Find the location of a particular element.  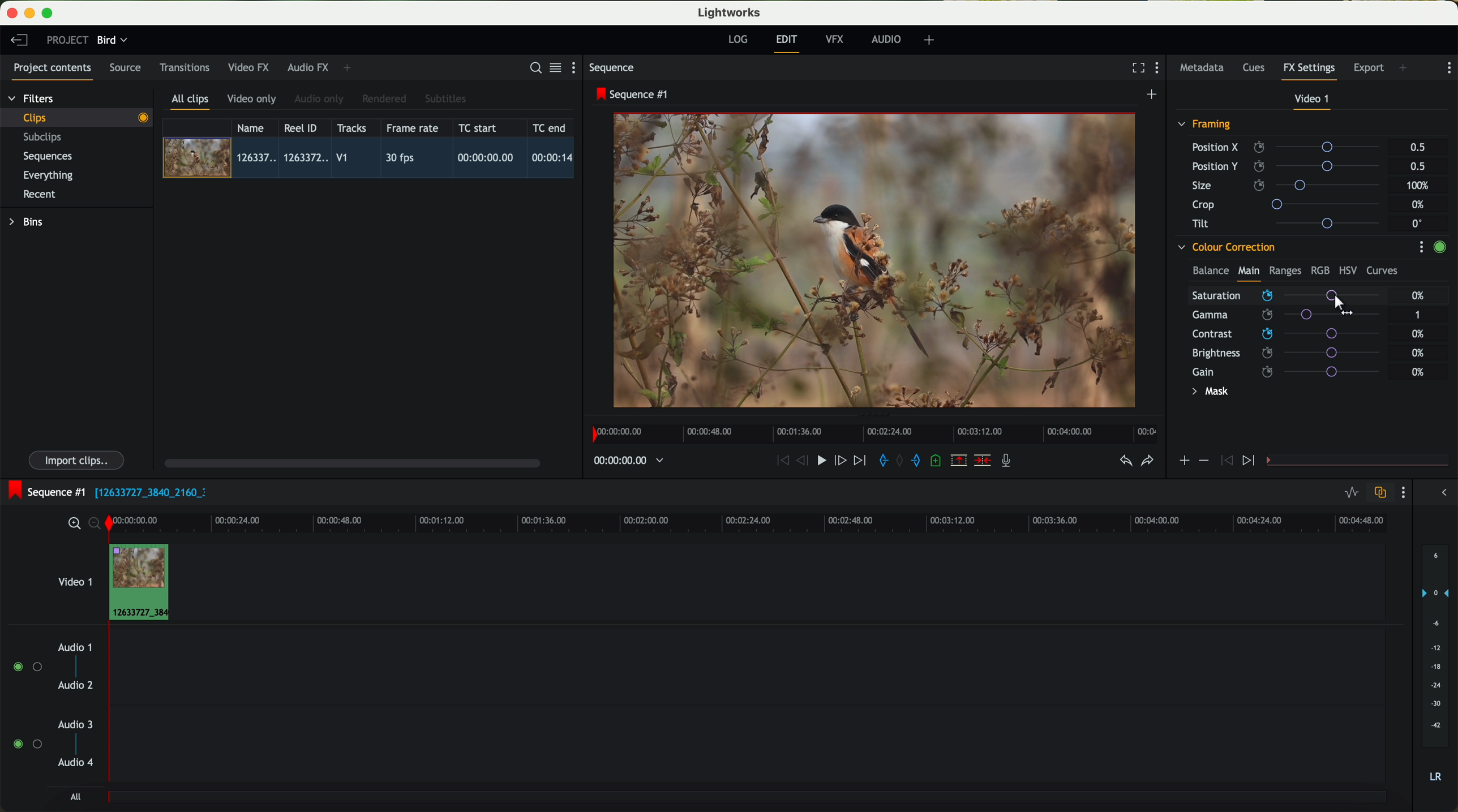

fullscreen is located at coordinates (1136, 67).